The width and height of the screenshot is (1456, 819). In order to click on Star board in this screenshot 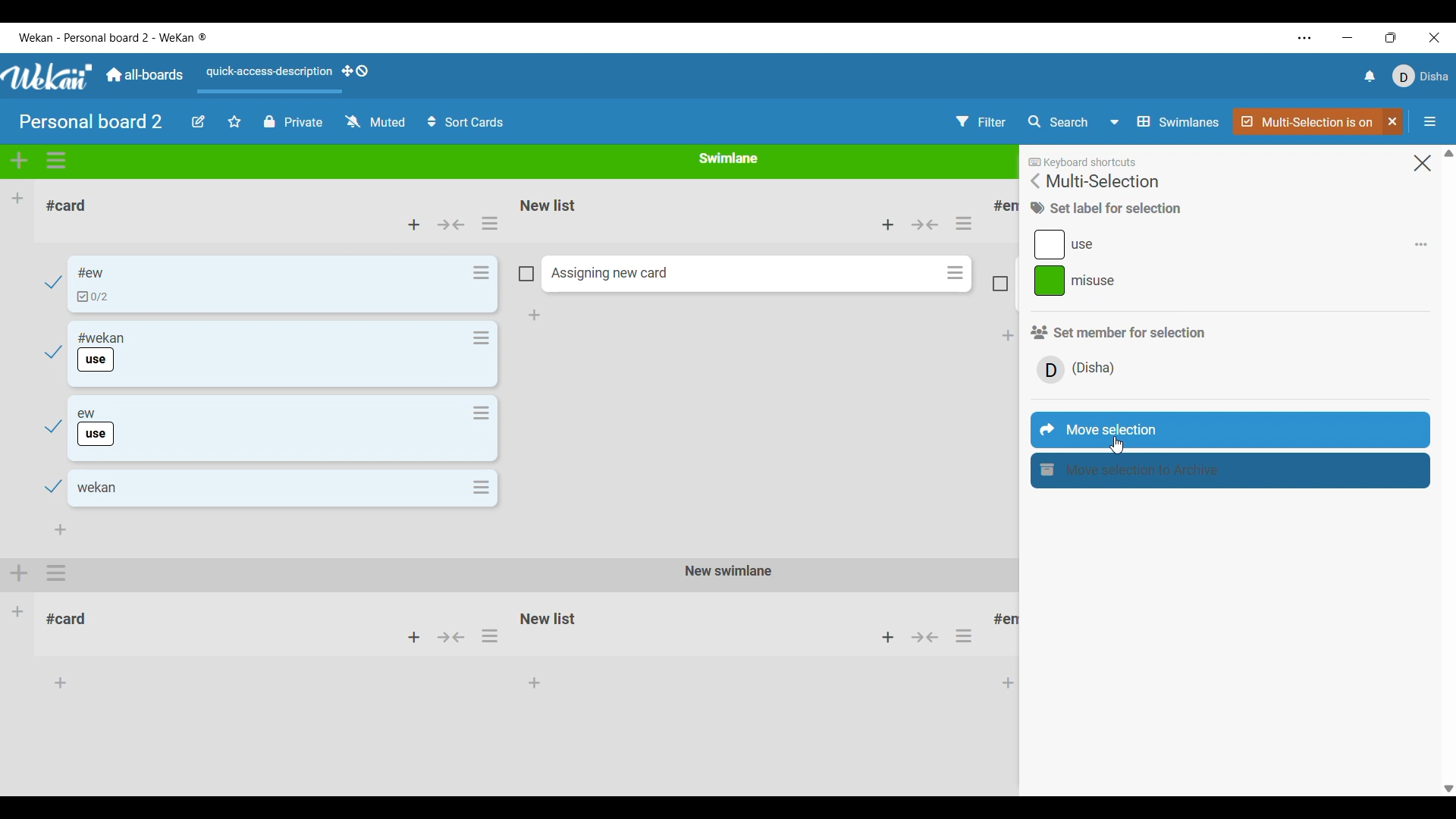, I will do `click(235, 121)`.